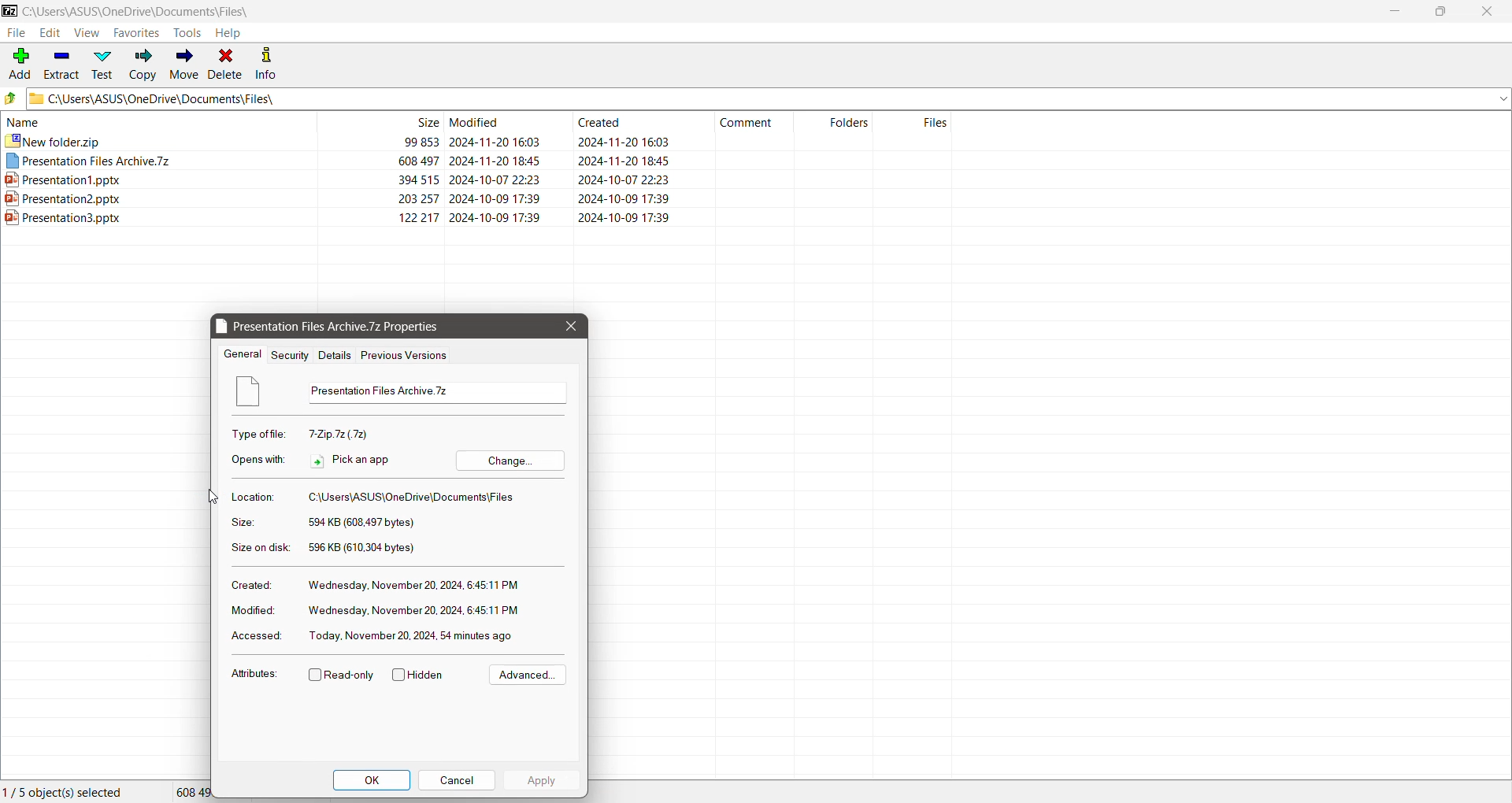  I want to click on Close, so click(569, 327).